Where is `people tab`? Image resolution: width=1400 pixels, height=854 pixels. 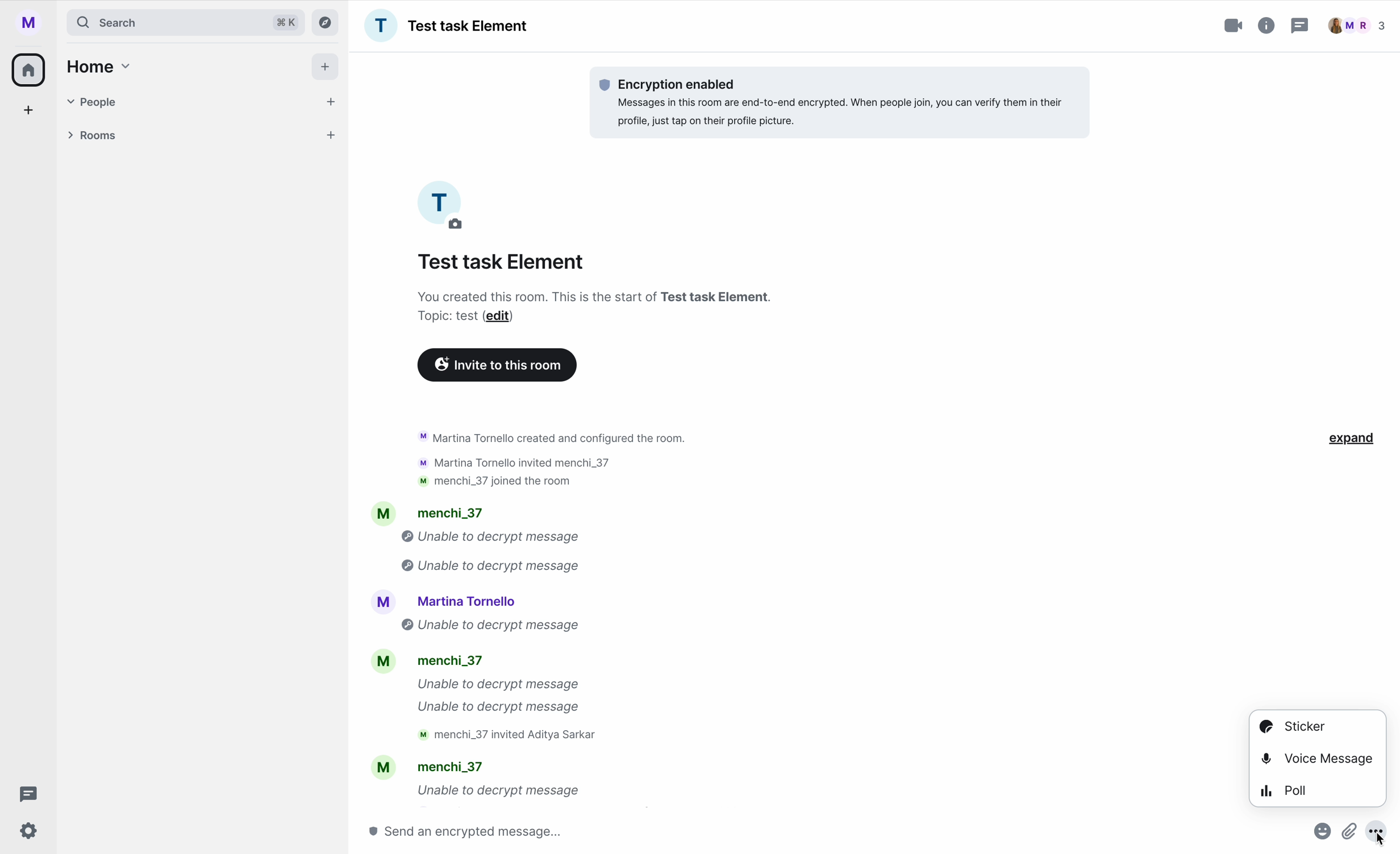 people tab is located at coordinates (203, 102).